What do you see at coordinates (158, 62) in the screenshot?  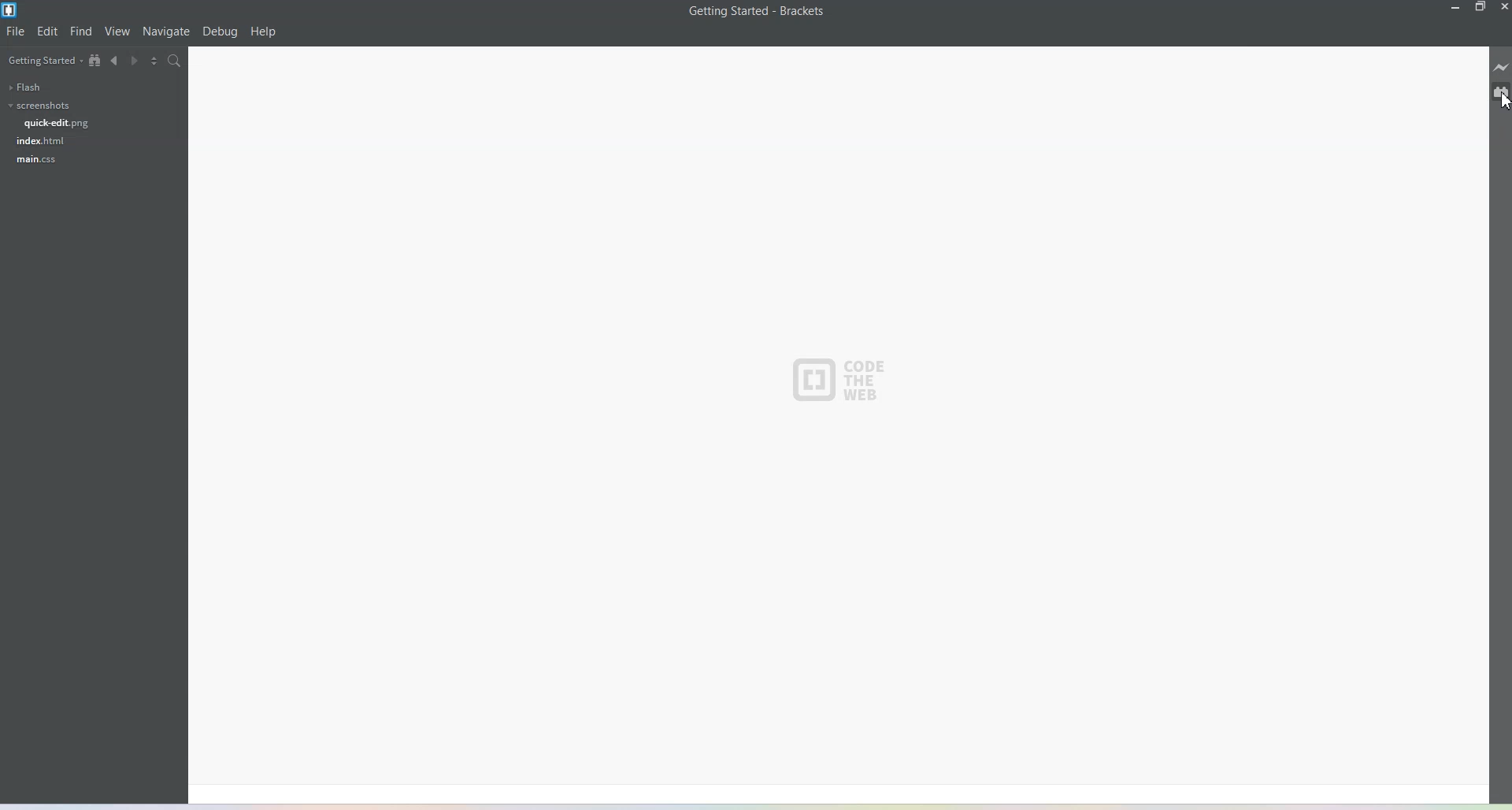 I see `Split the editor vertically or Horizontally` at bounding box center [158, 62].